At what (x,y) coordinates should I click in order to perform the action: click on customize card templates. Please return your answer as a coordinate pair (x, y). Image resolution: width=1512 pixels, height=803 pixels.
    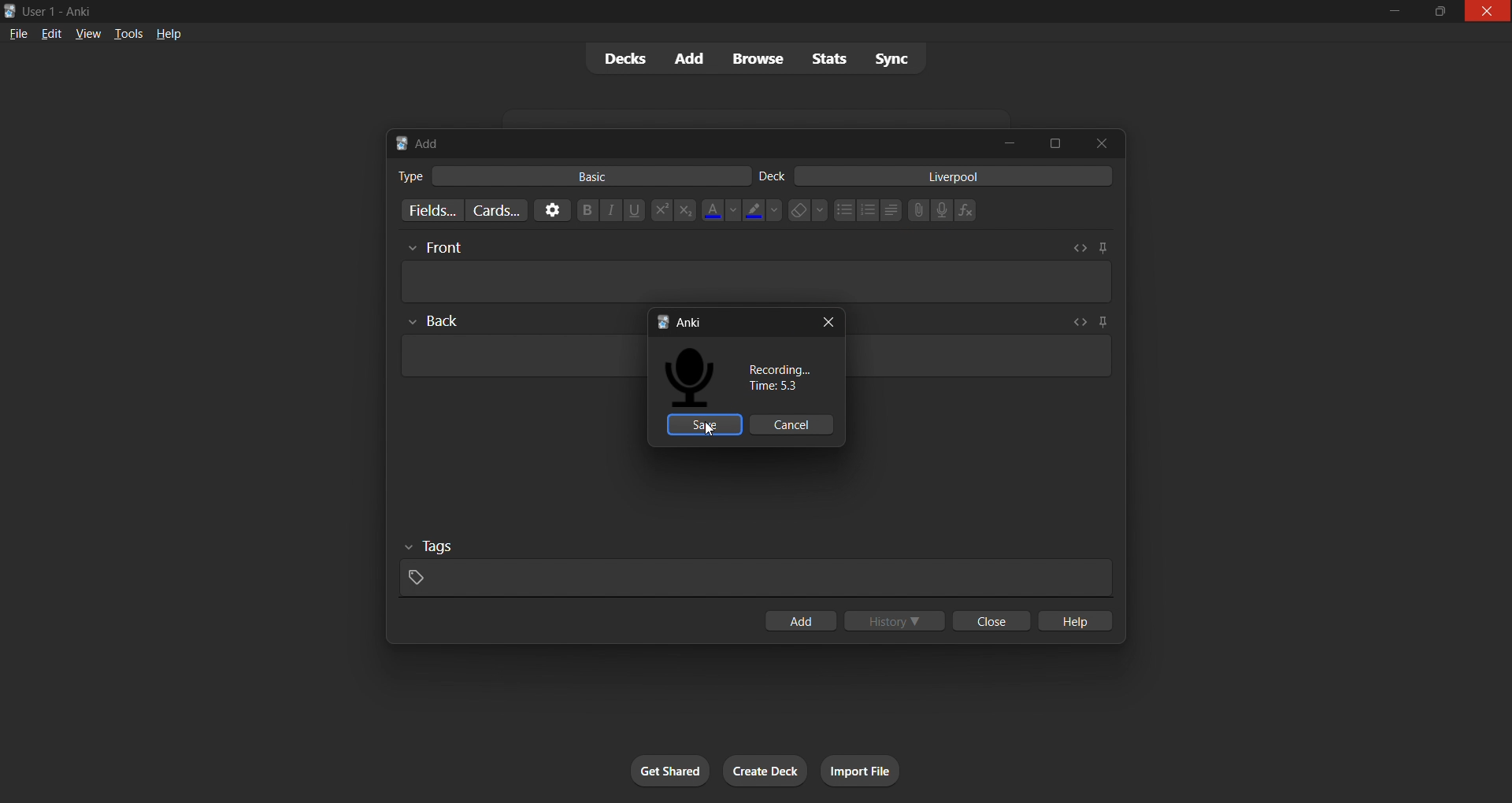
    Looking at the image, I should click on (497, 212).